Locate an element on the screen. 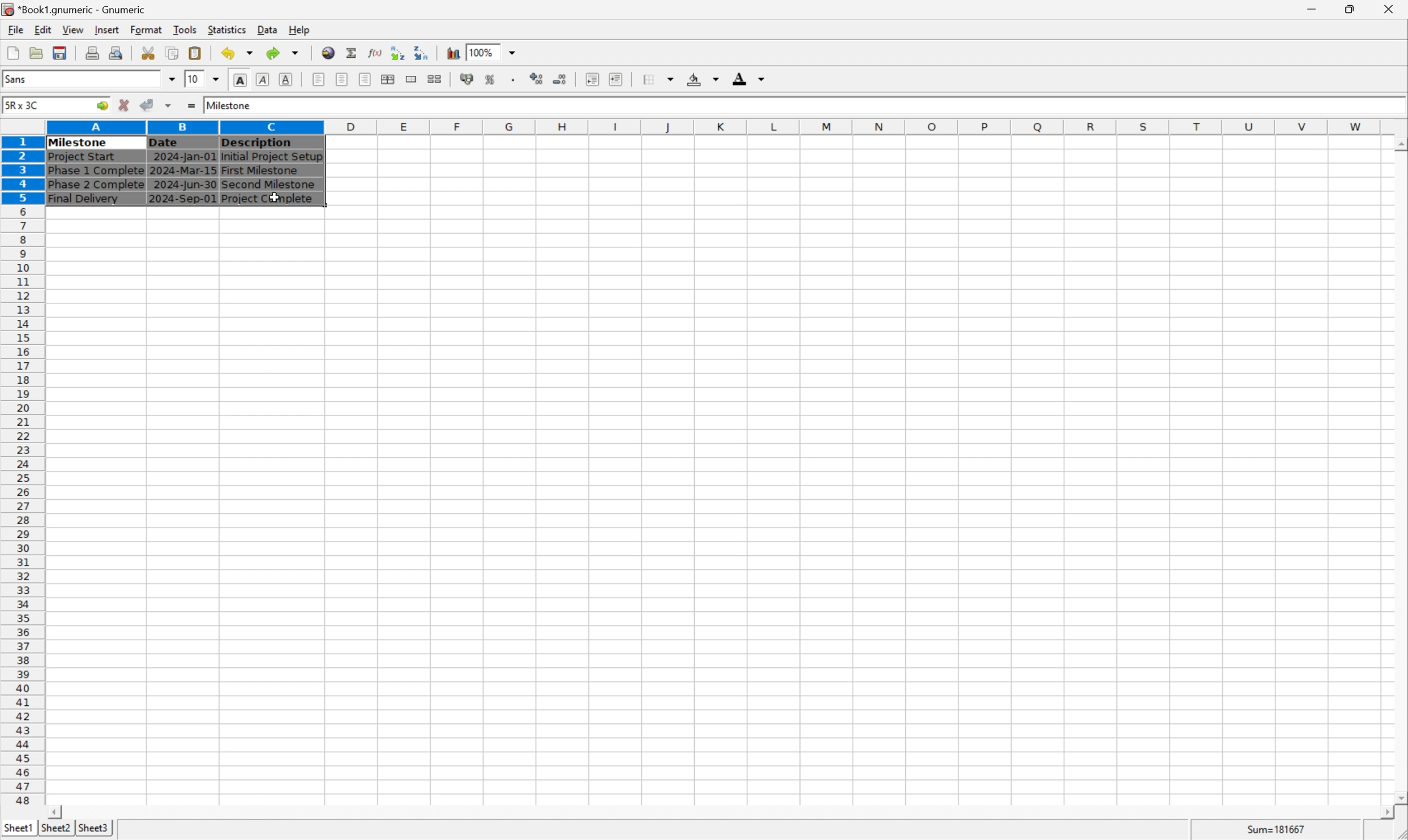 This screenshot has width=1408, height=840. copy from selection is located at coordinates (174, 53).